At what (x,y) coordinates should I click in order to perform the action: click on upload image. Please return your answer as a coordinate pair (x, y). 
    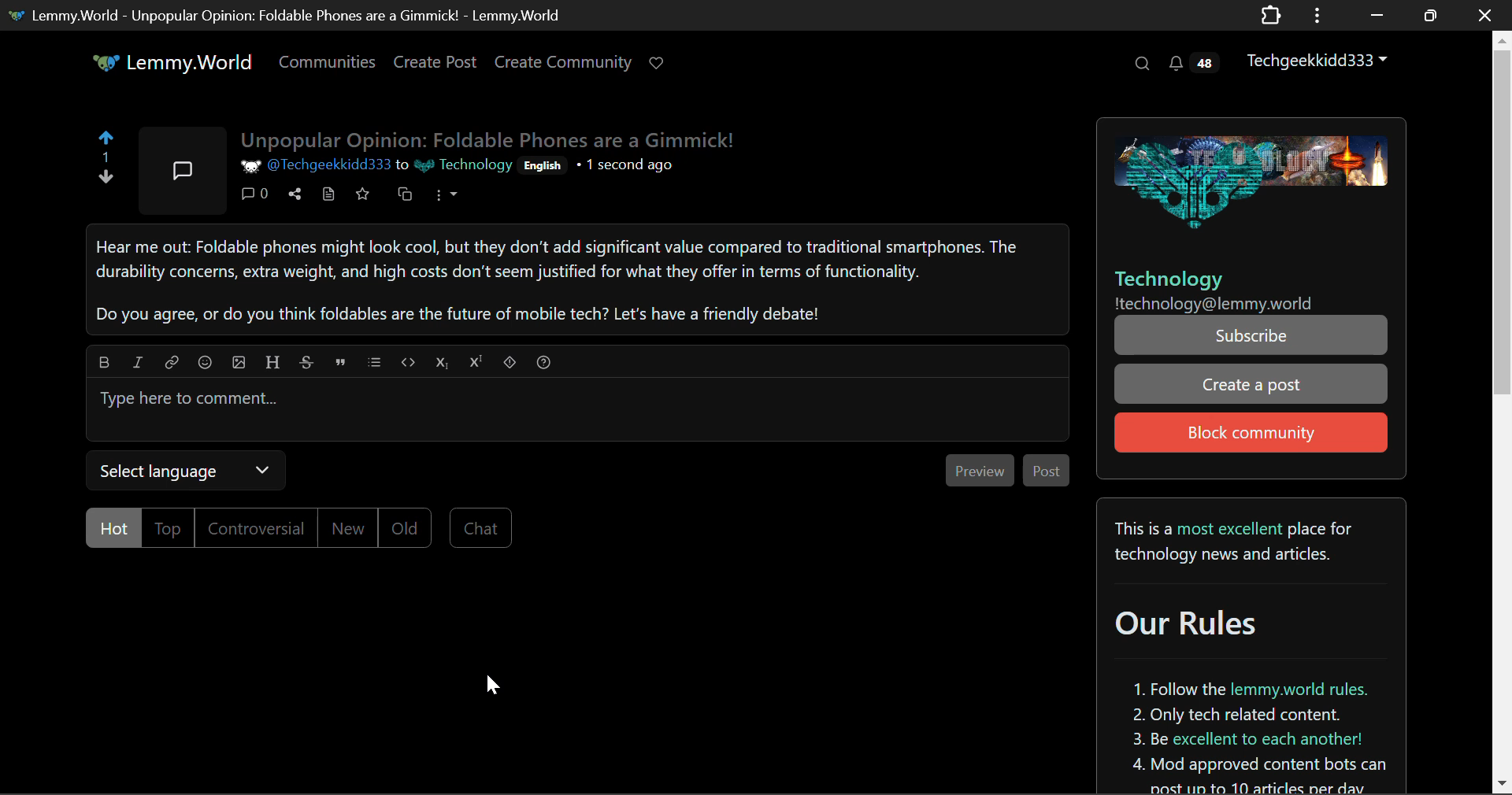
    Looking at the image, I should click on (239, 361).